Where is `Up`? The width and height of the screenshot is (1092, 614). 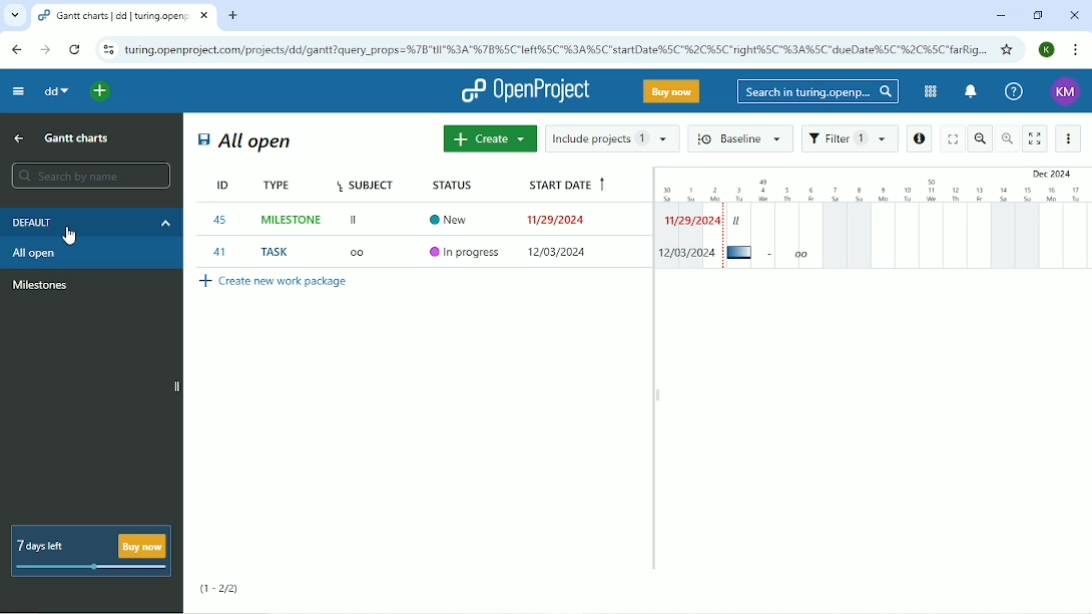 Up is located at coordinates (16, 136).